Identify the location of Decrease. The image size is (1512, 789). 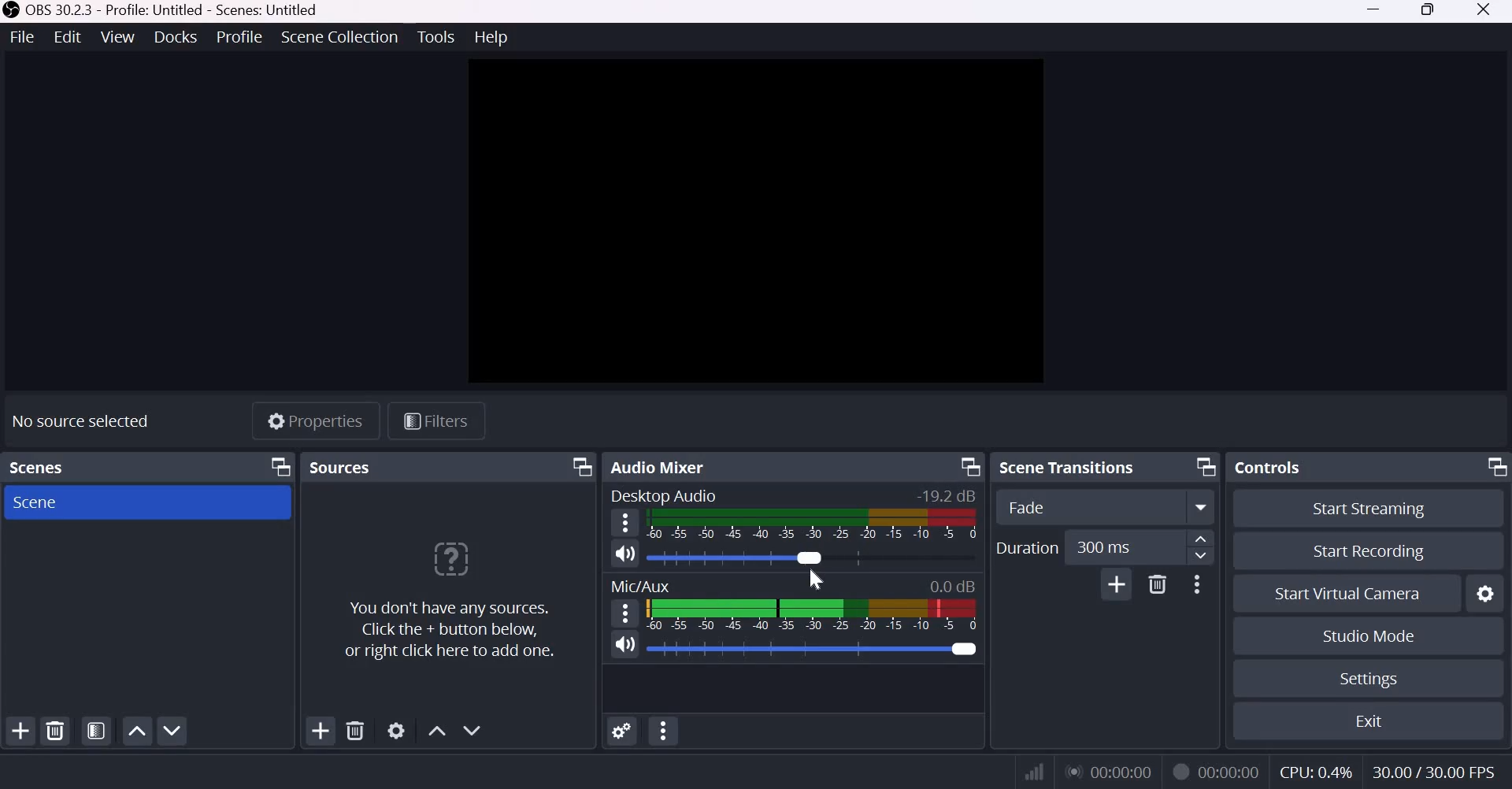
(1203, 558).